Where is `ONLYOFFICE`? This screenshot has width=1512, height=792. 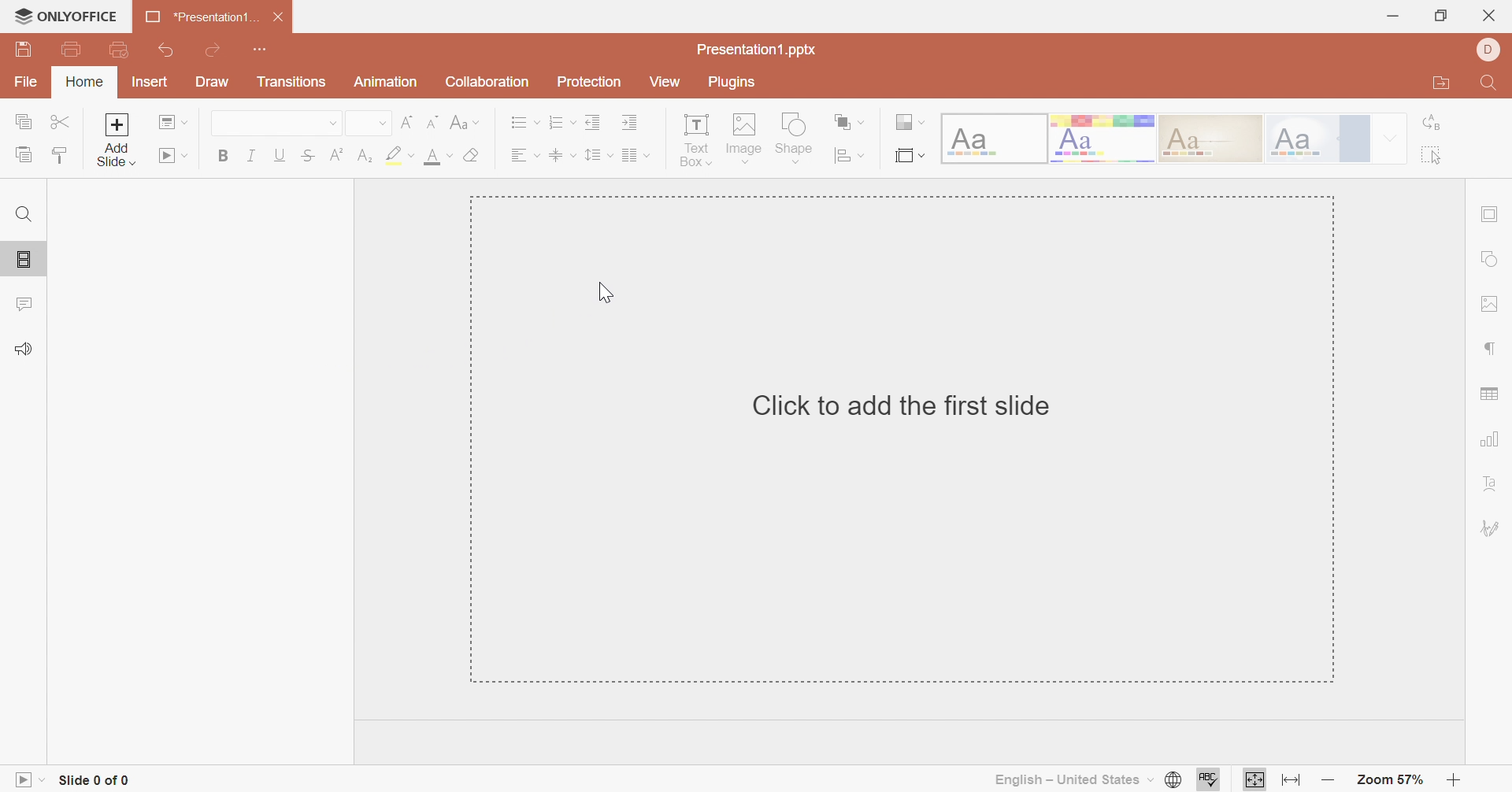 ONLYOFFICE is located at coordinates (66, 16).